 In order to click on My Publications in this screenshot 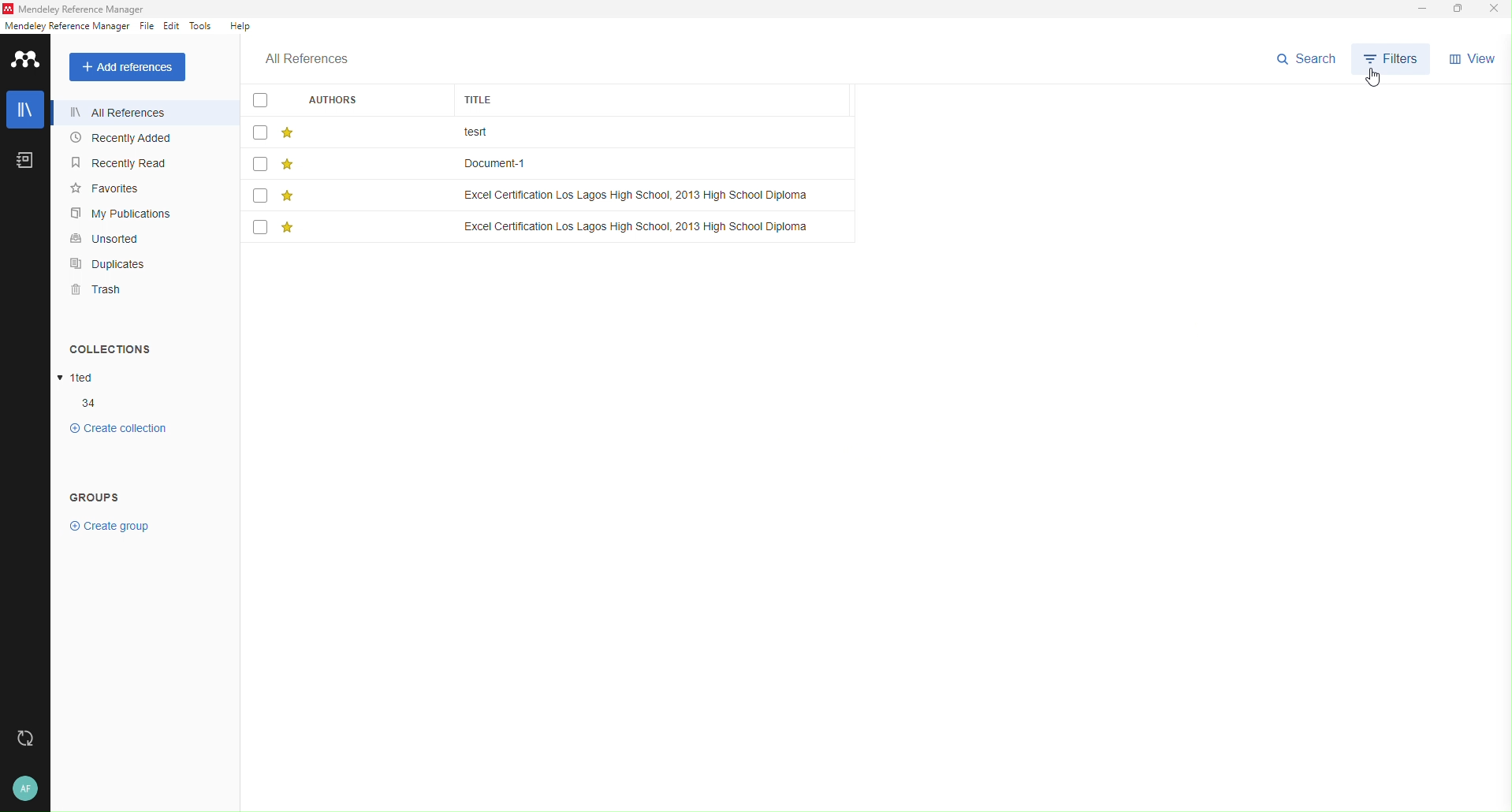, I will do `click(130, 214)`.